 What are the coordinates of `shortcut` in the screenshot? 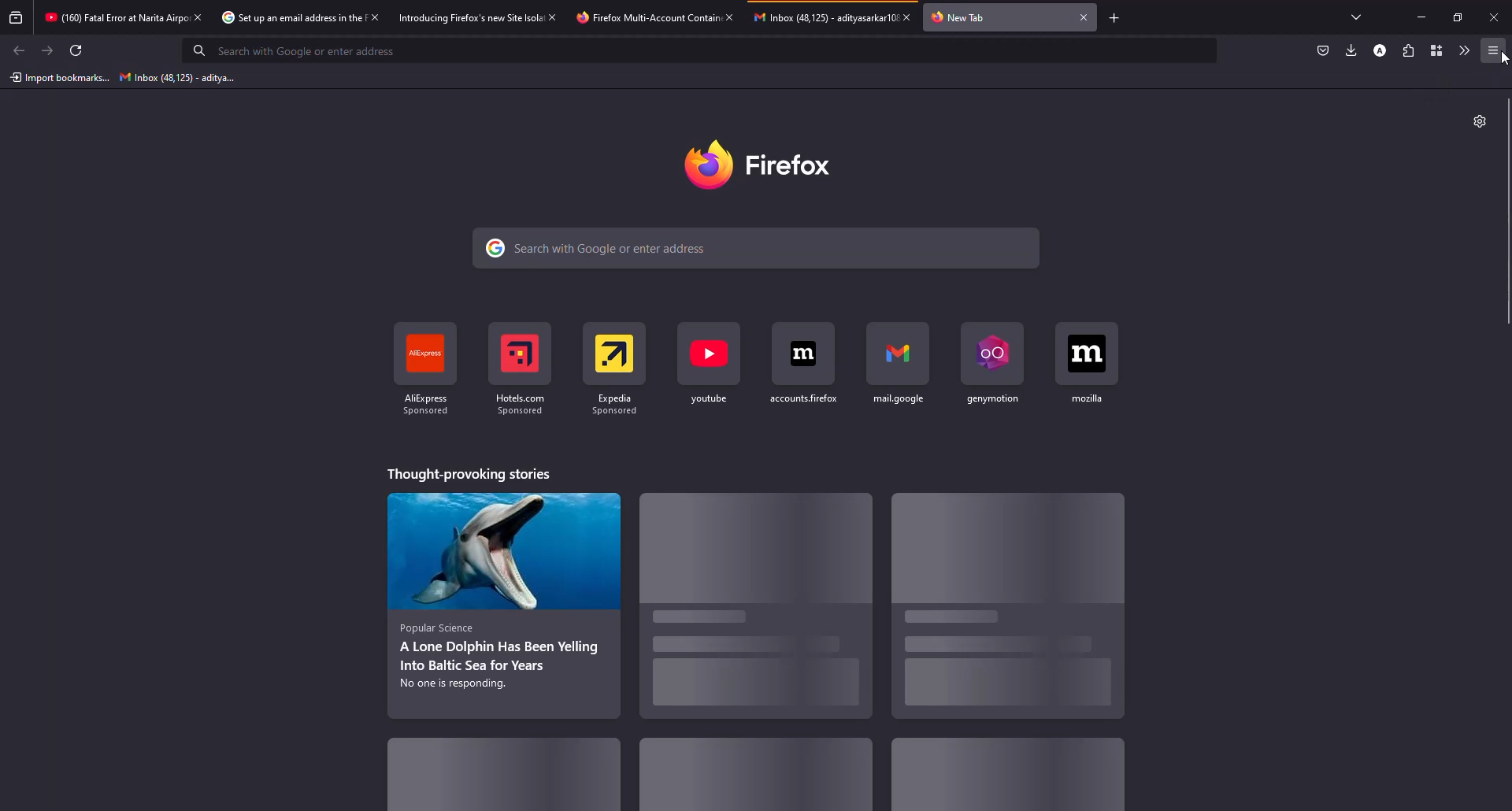 It's located at (524, 364).